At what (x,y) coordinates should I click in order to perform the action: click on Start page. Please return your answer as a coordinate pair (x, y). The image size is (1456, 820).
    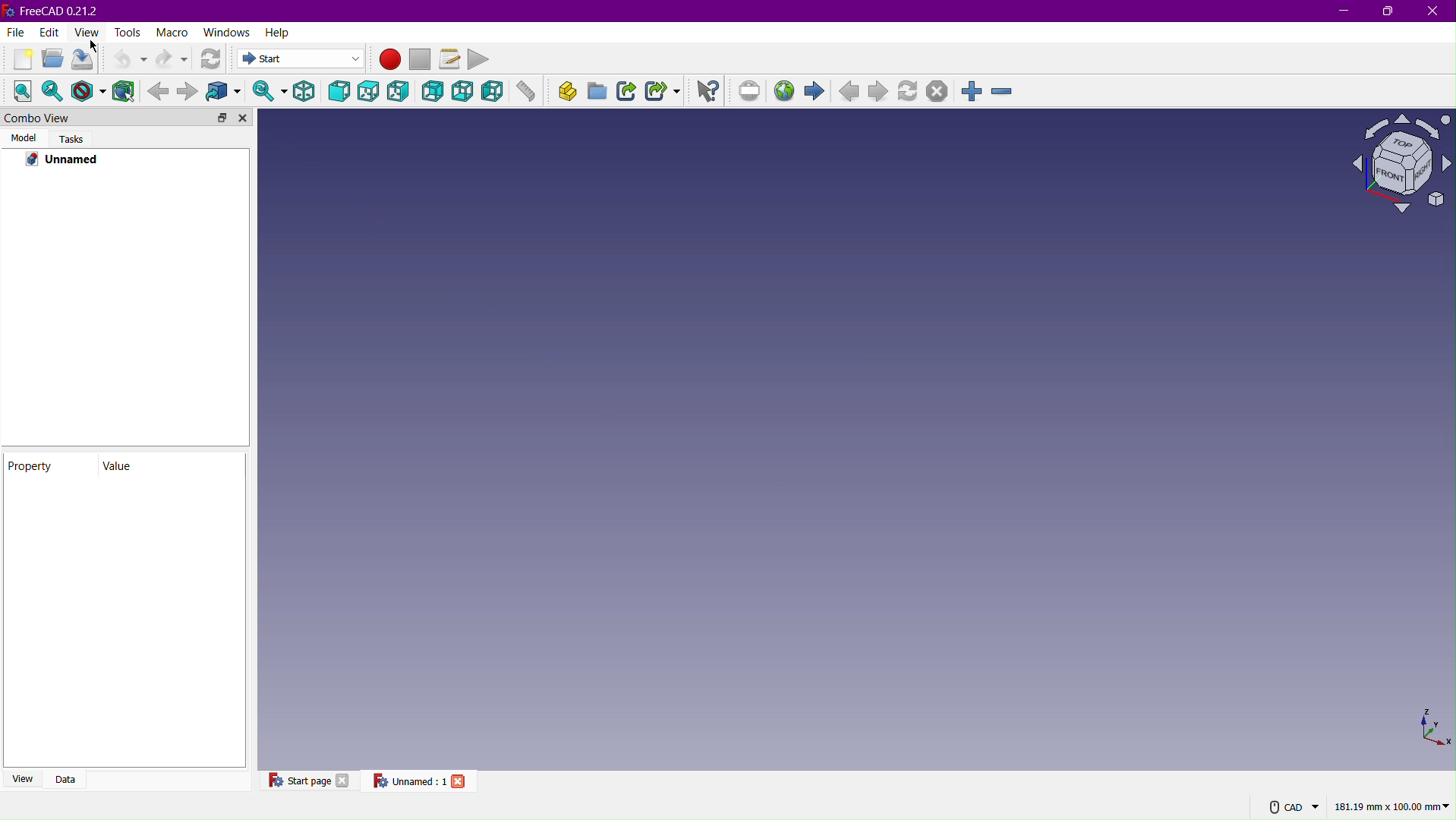
    Looking at the image, I should click on (815, 92).